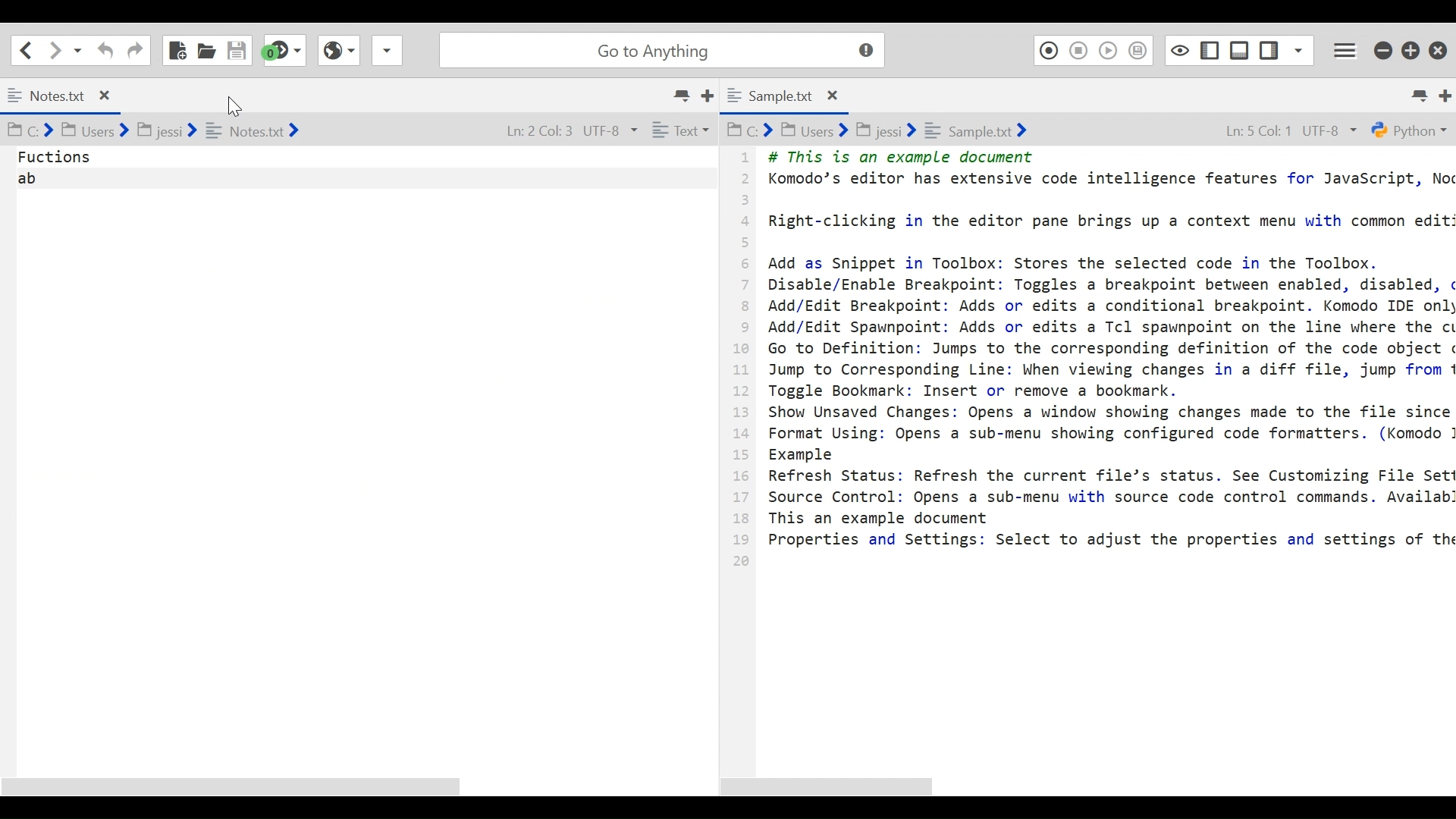 Image resolution: width=1456 pixels, height=819 pixels. I want to click on Restore, so click(1412, 51).